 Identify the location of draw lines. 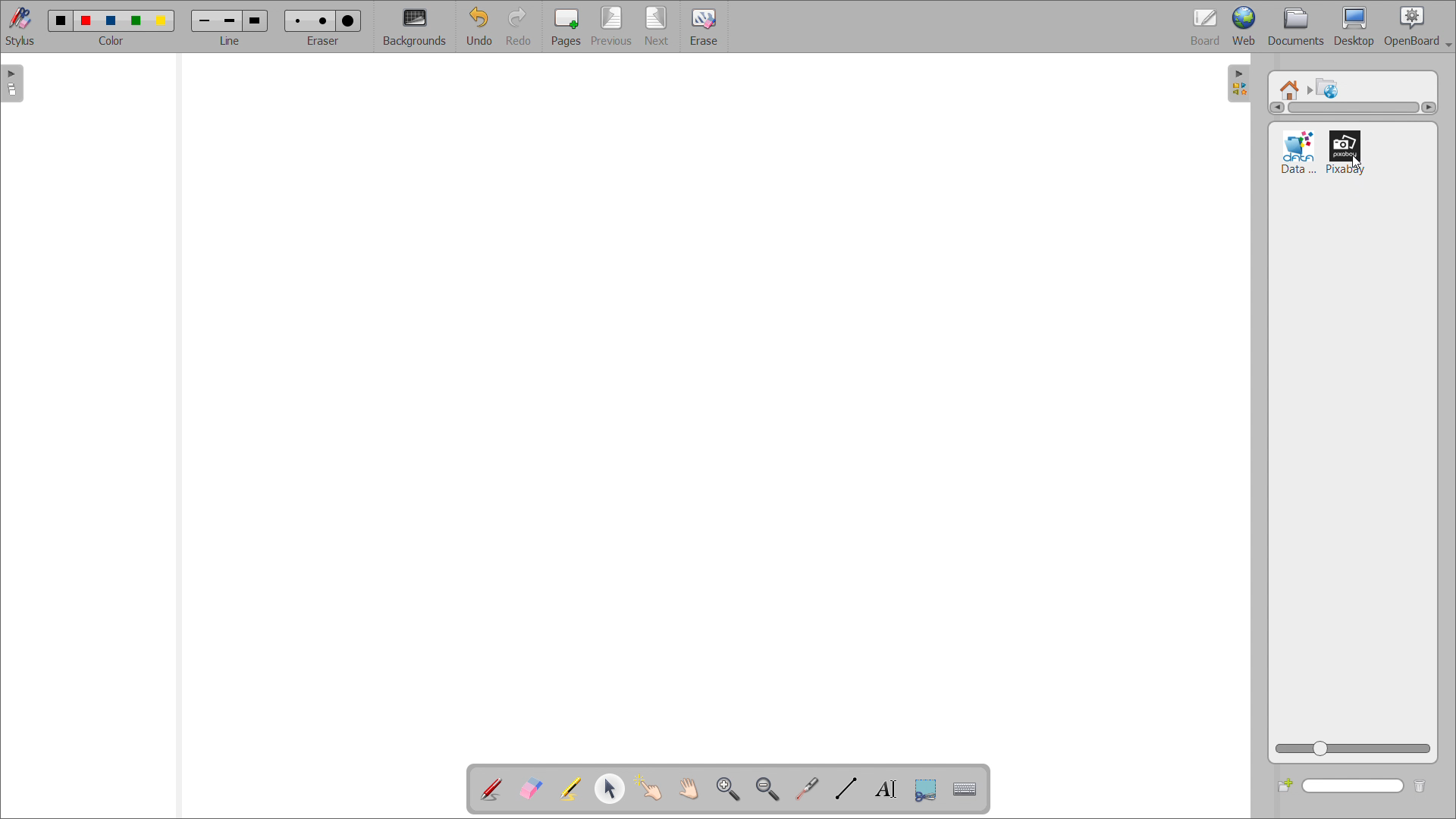
(846, 789).